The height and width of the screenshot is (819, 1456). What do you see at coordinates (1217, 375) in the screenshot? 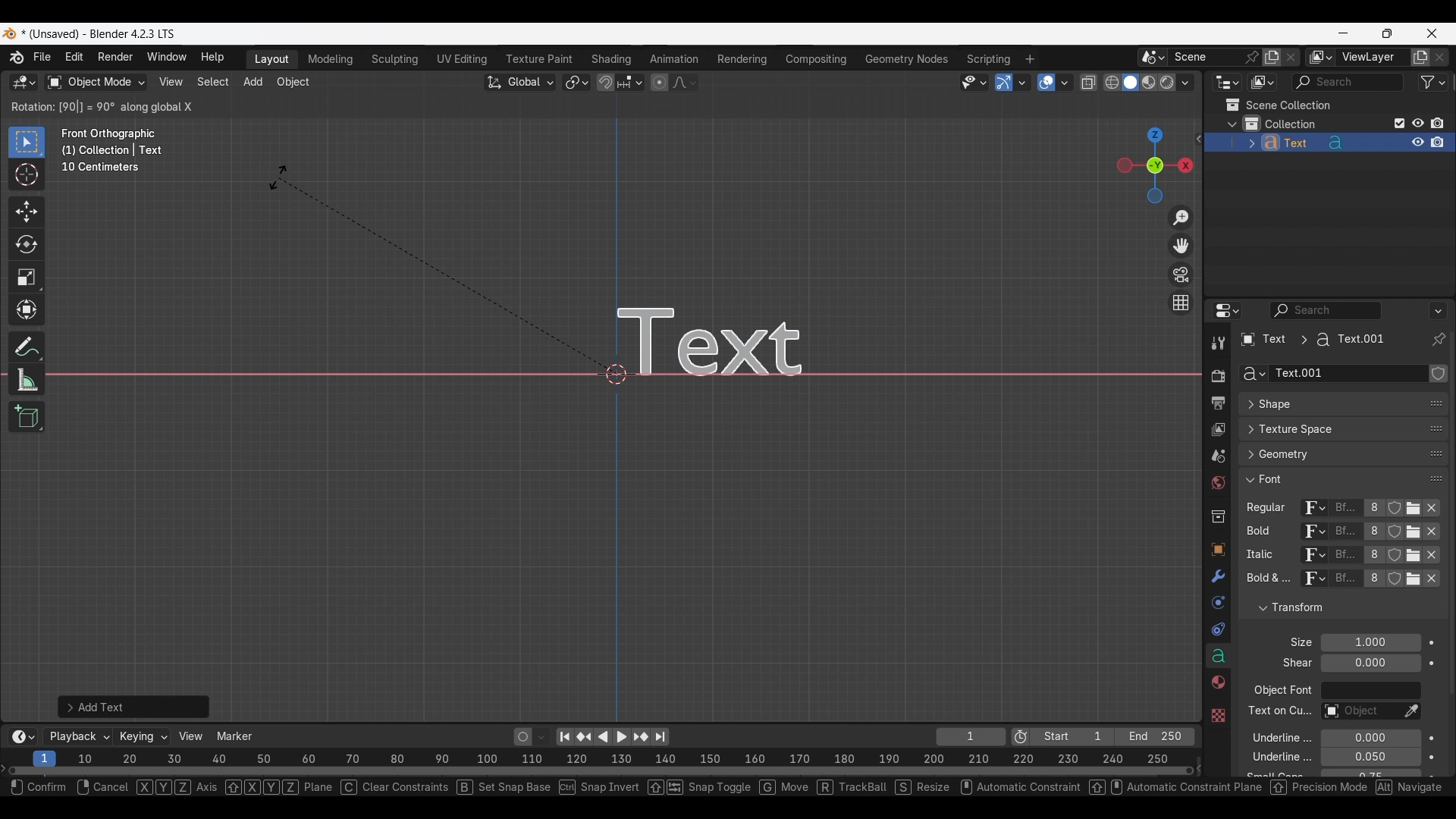
I see `Render` at bounding box center [1217, 375].